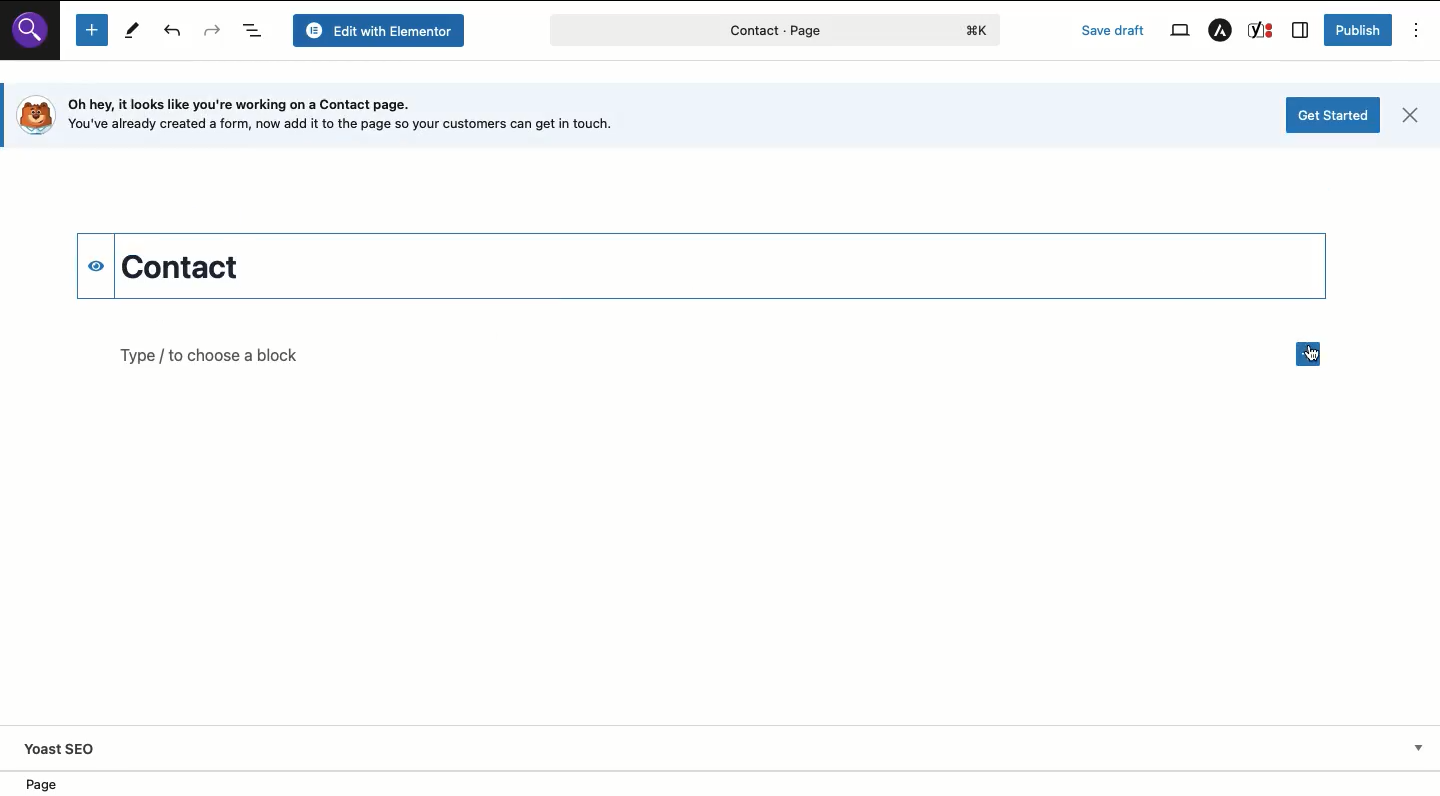 The height and width of the screenshot is (796, 1440). Describe the element at coordinates (1261, 30) in the screenshot. I see `Yoast` at that location.